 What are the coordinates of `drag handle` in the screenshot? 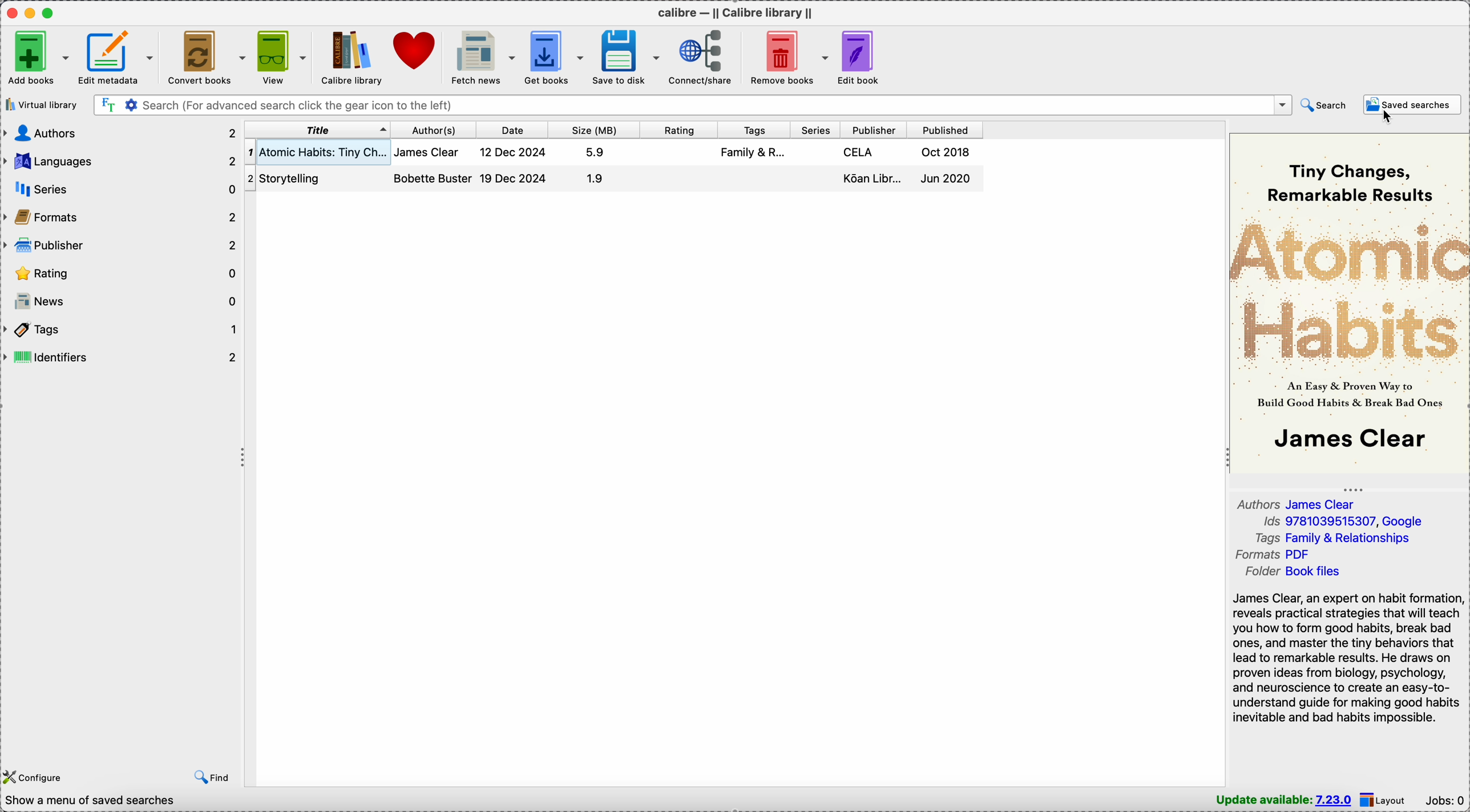 It's located at (1357, 488).